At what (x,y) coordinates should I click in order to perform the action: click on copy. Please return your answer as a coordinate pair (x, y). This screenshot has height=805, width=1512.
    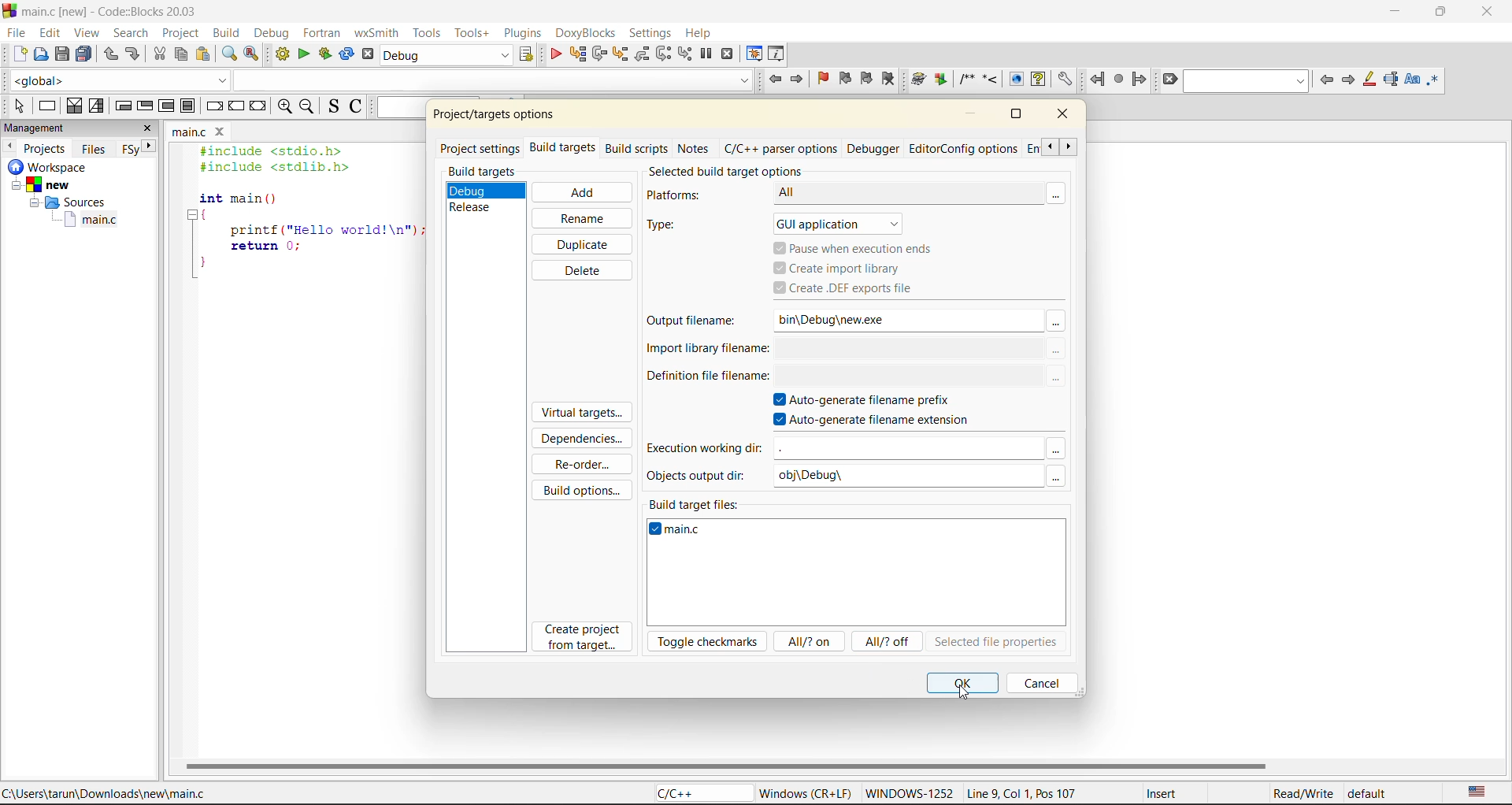
    Looking at the image, I should click on (182, 54).